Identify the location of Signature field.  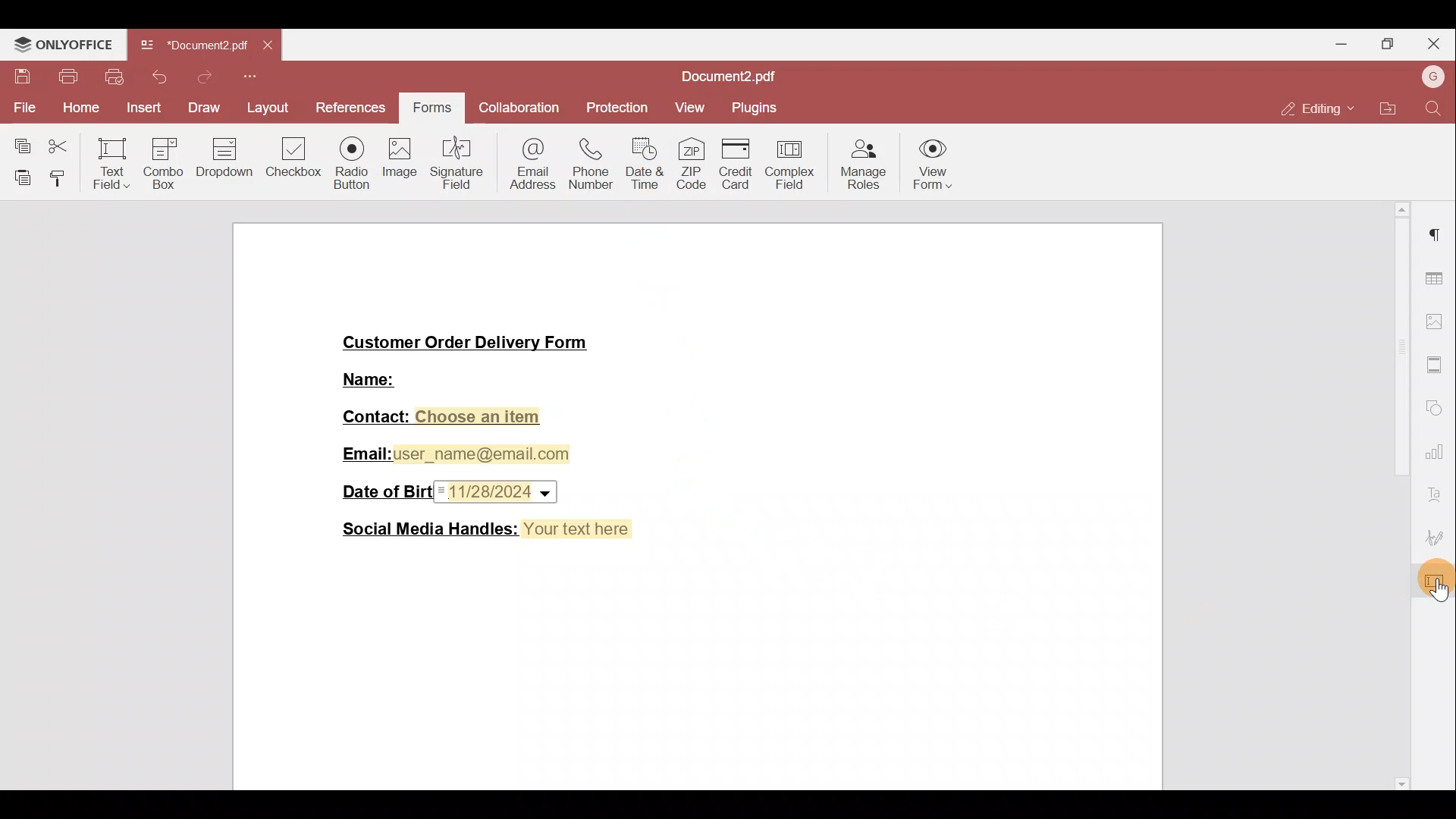
(459, 161).